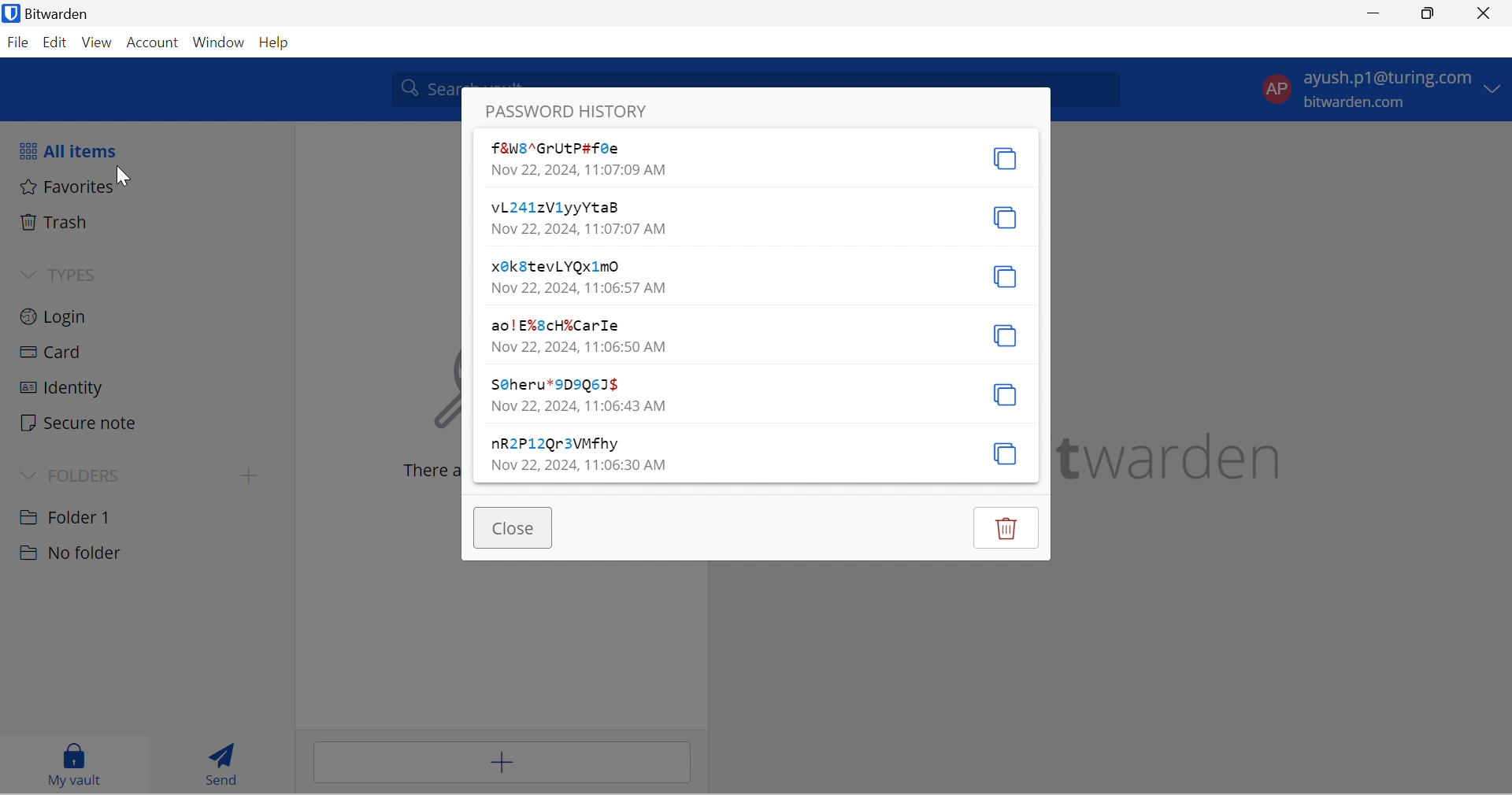 This screenshot has width=1512, height=795. I want to click on view, so click(95, 43).